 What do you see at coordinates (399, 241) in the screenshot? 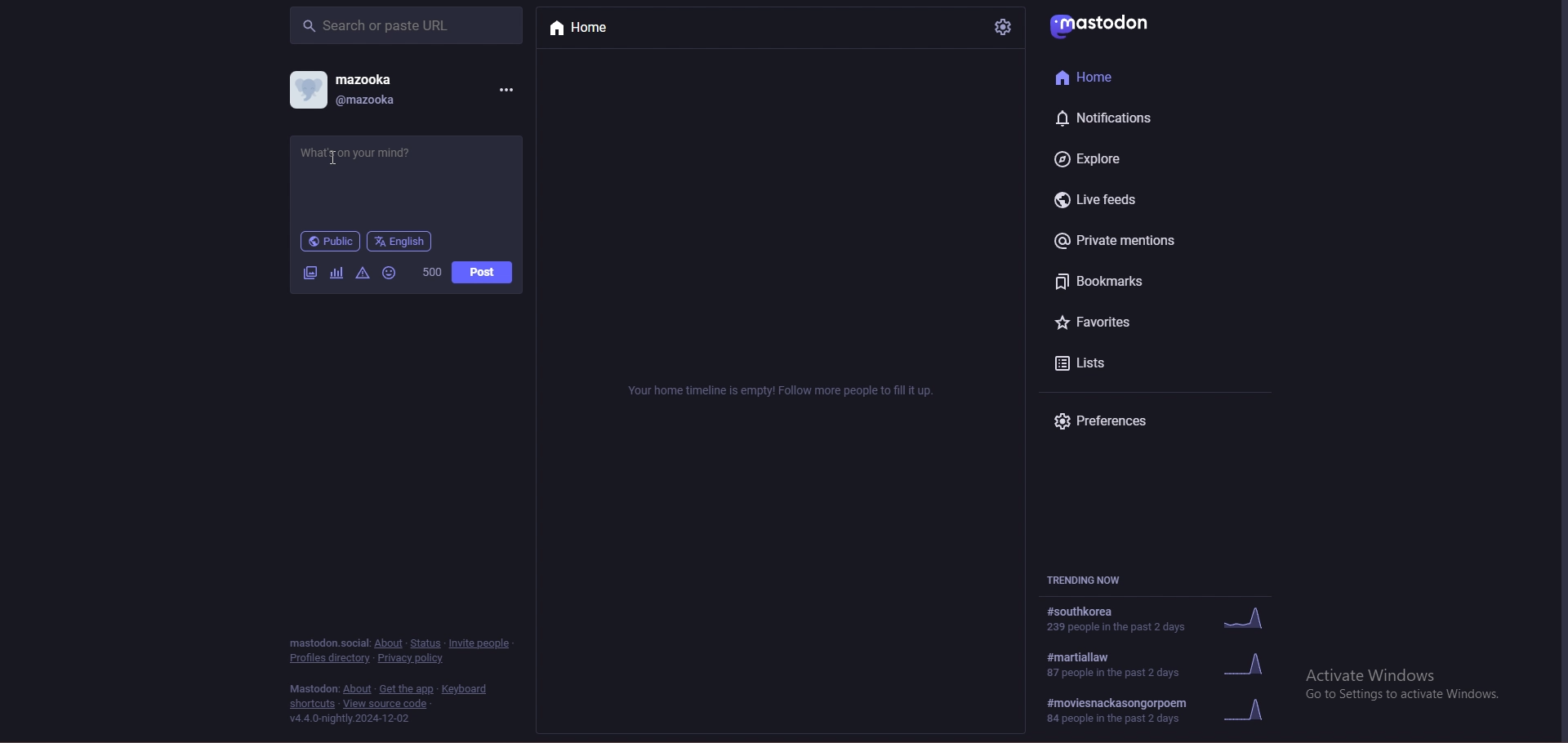
I see `language` at bounding box center [399, 241].